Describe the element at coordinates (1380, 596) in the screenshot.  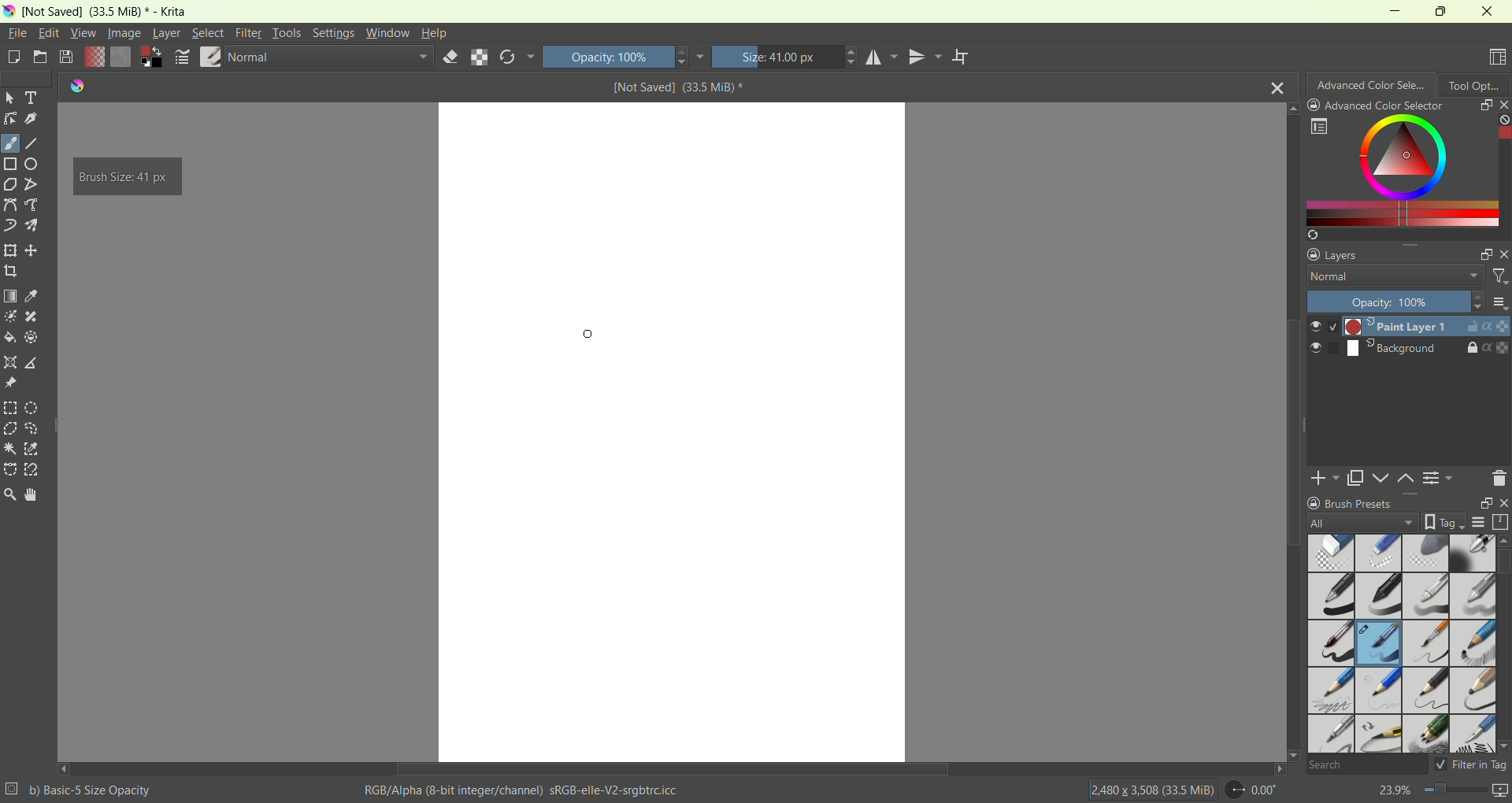
I see `basic 2` at that location.